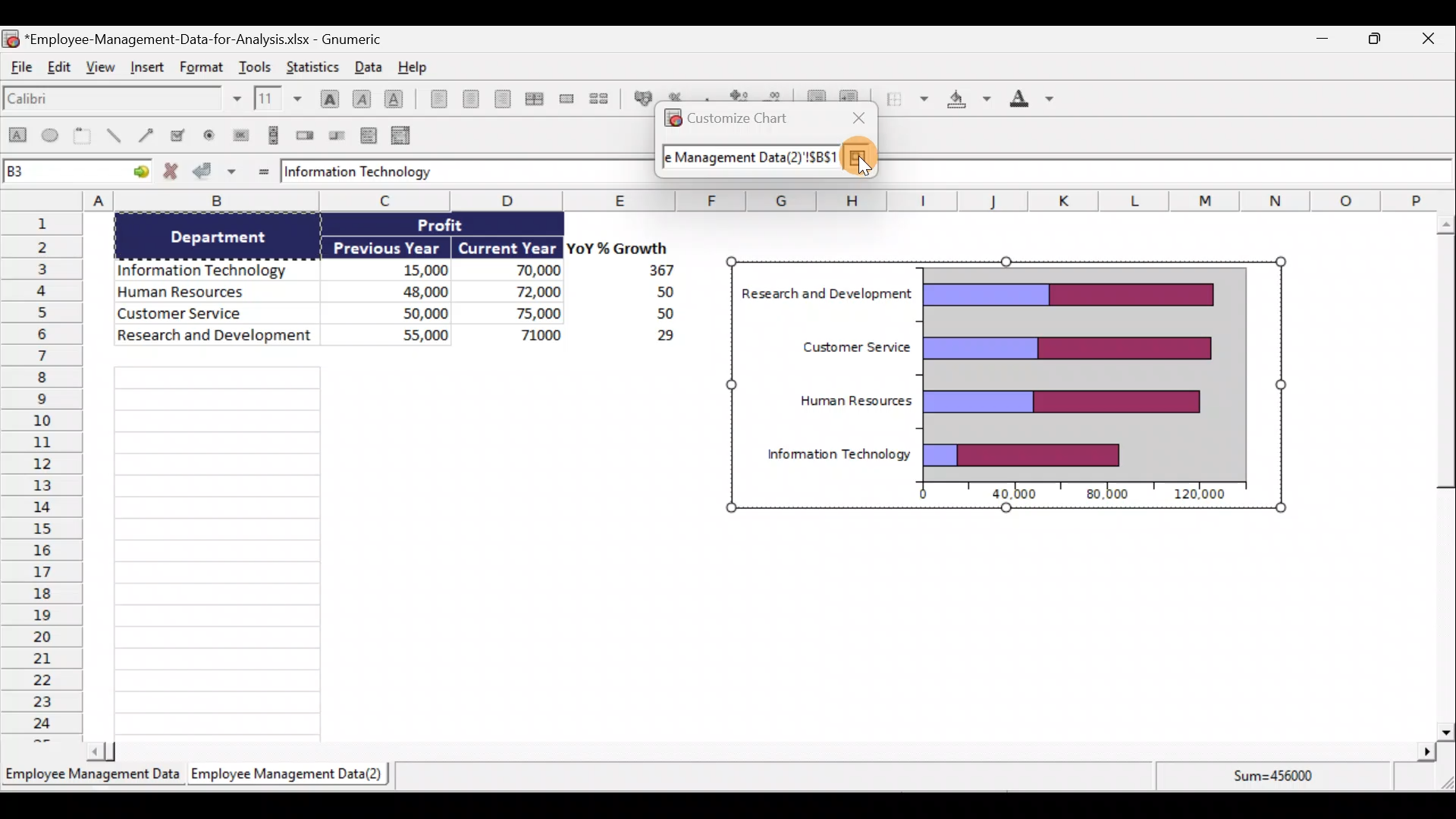  I want to click on Create a button, so click(238, 136).